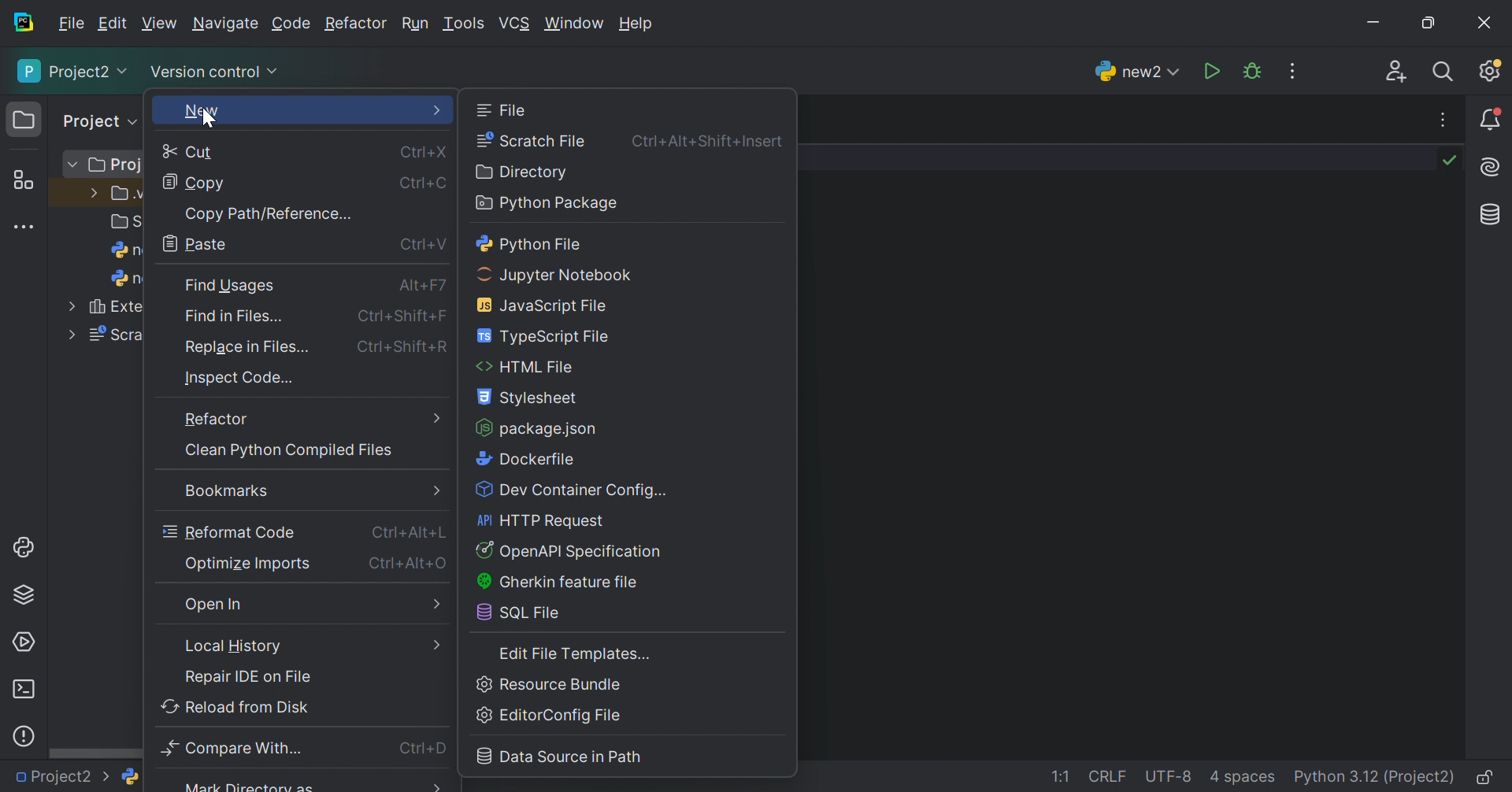 The height and width of the screenshot is (792, 1512). Describe the element at coordinates (1251, 71) in the screenshot. I see `Debug` at that location.